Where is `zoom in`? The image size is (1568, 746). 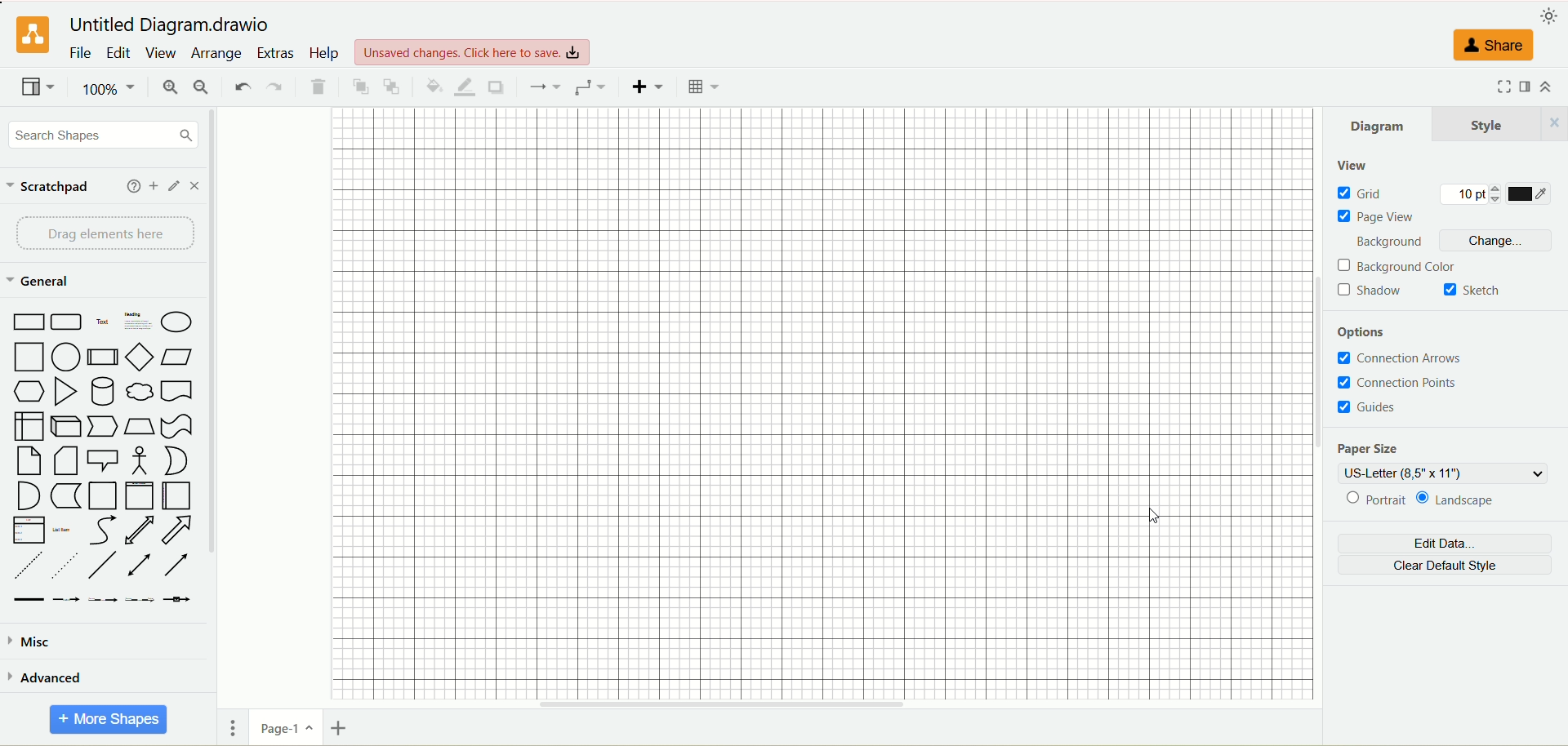 zoom in is located at coordinates (171, 87).